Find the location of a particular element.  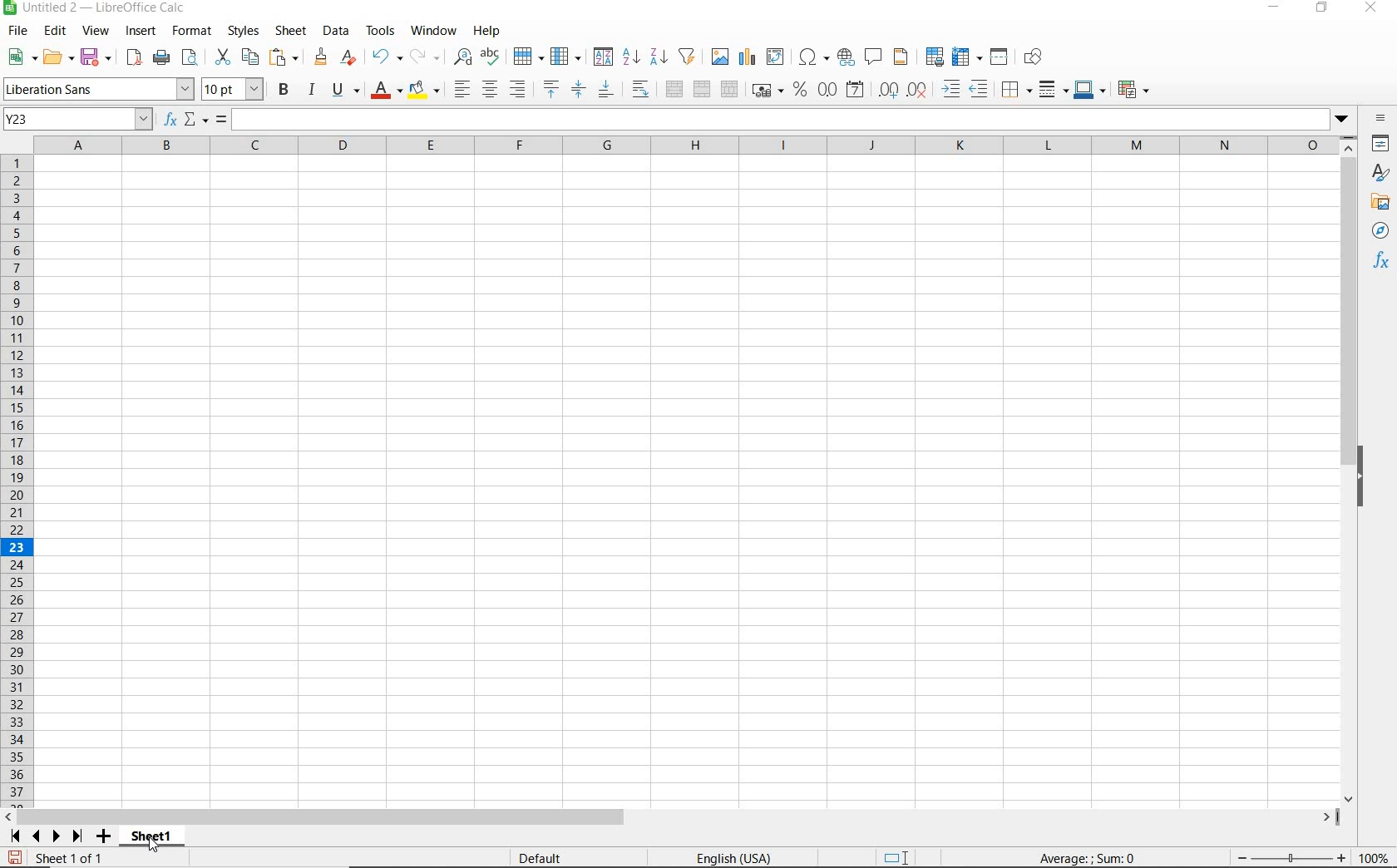

STANDARD SELECTION is located at coordinates (897, 858).